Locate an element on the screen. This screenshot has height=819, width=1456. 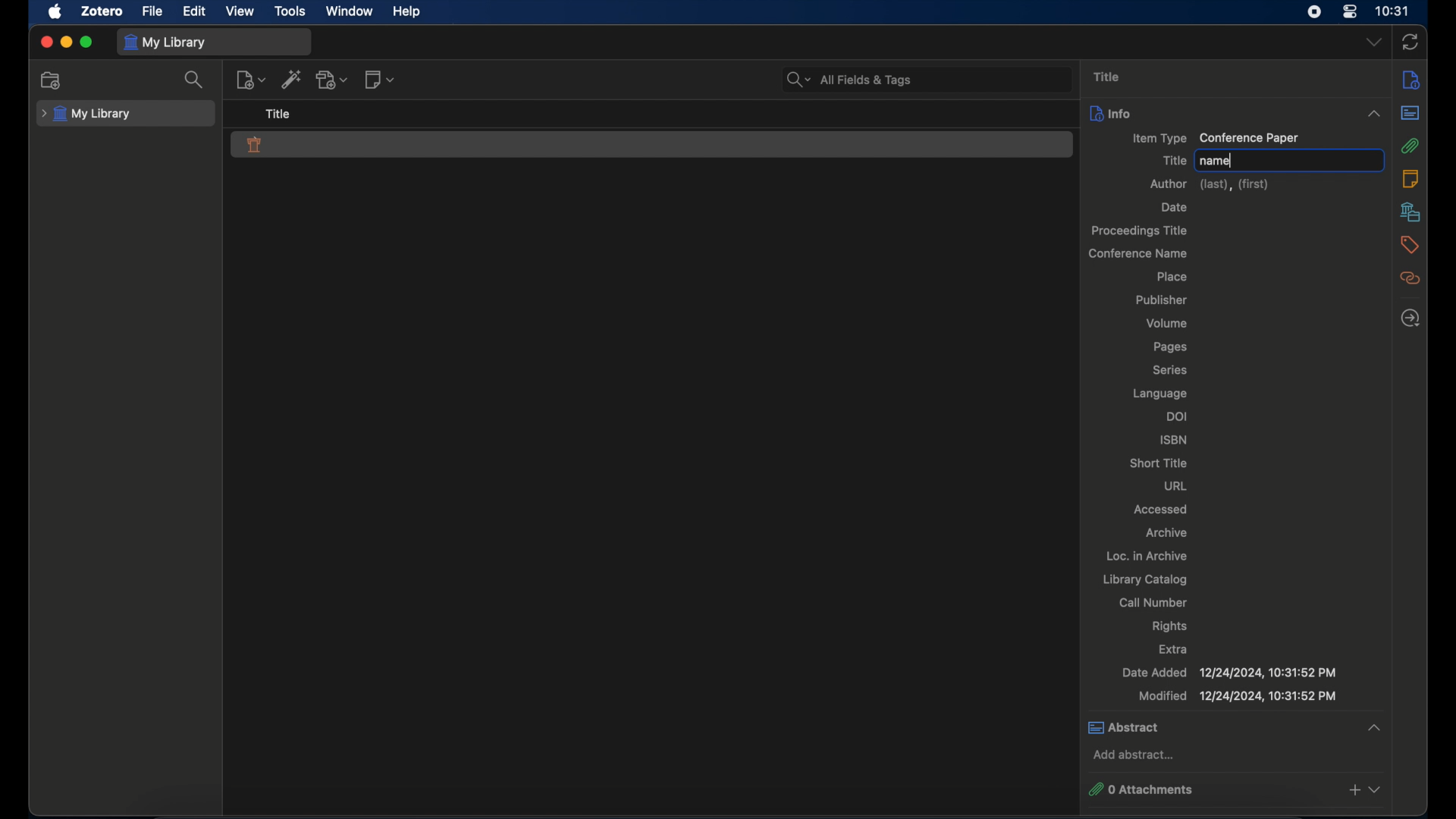
info is located at coordinates (1411, 79).